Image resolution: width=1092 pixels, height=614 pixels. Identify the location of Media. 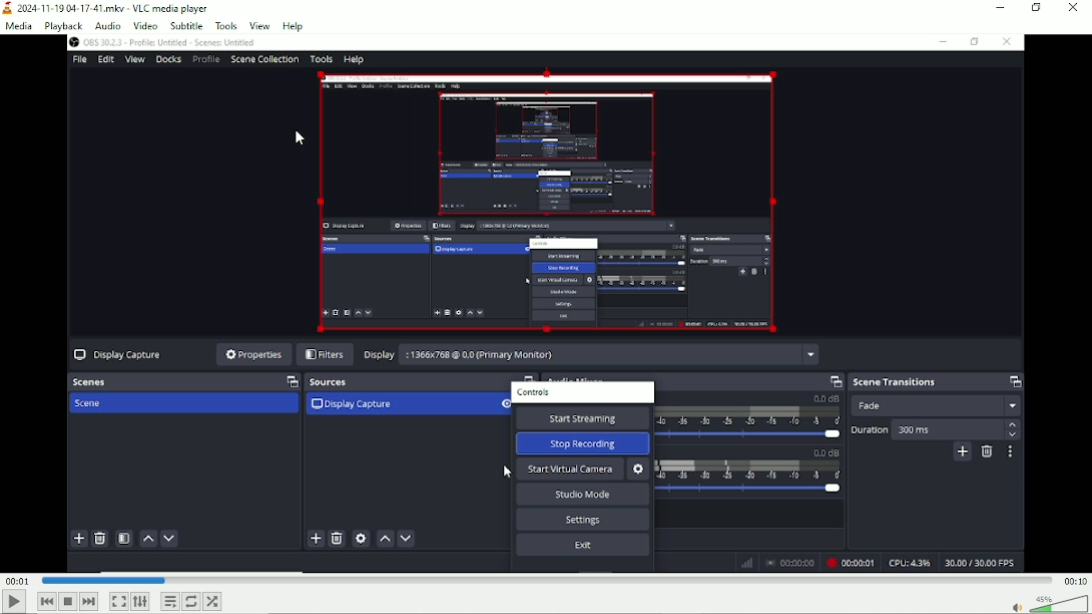
(18, 28).